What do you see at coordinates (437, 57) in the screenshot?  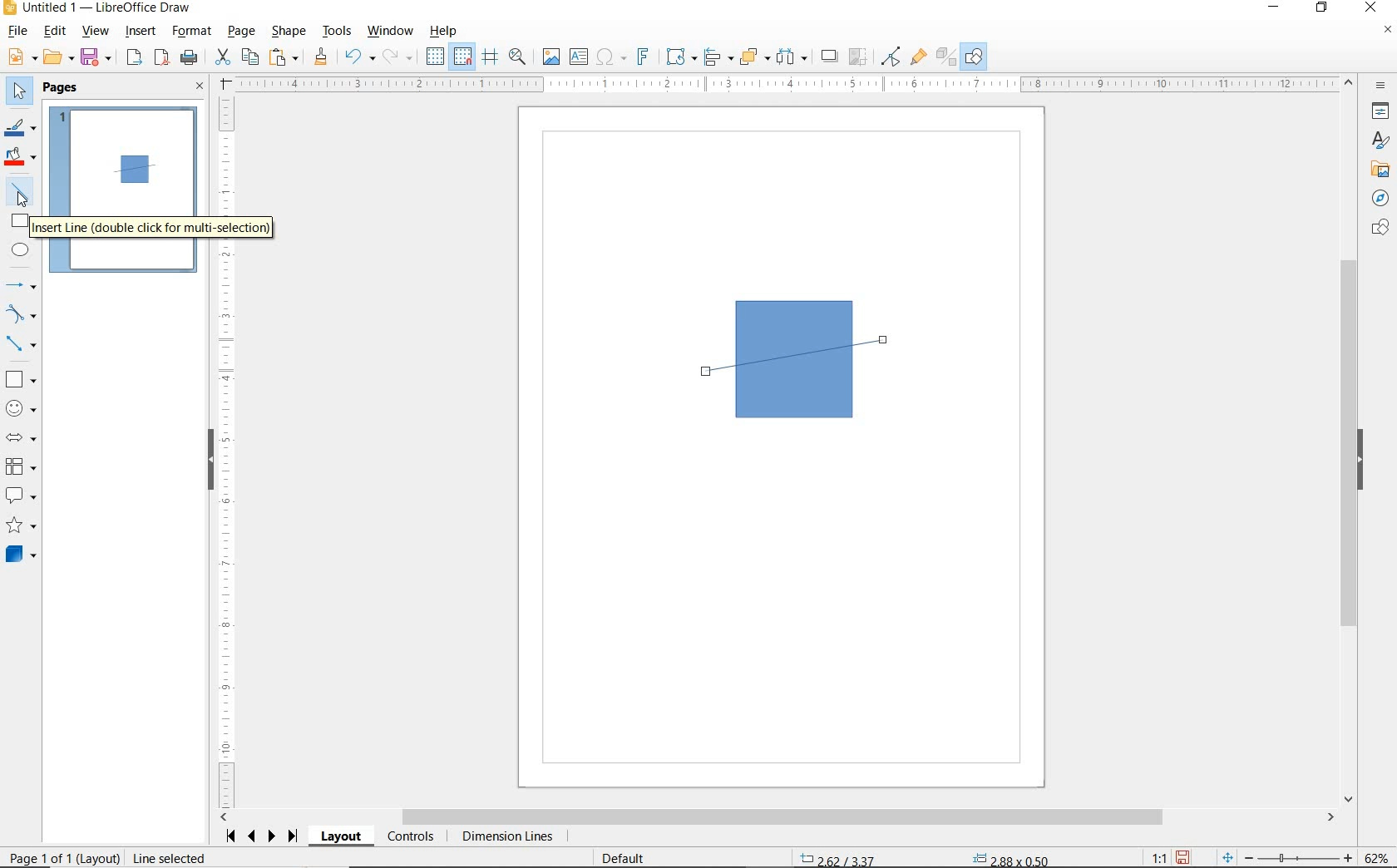 I see `DISPLAY GRID` at bounding box center [437, 57].